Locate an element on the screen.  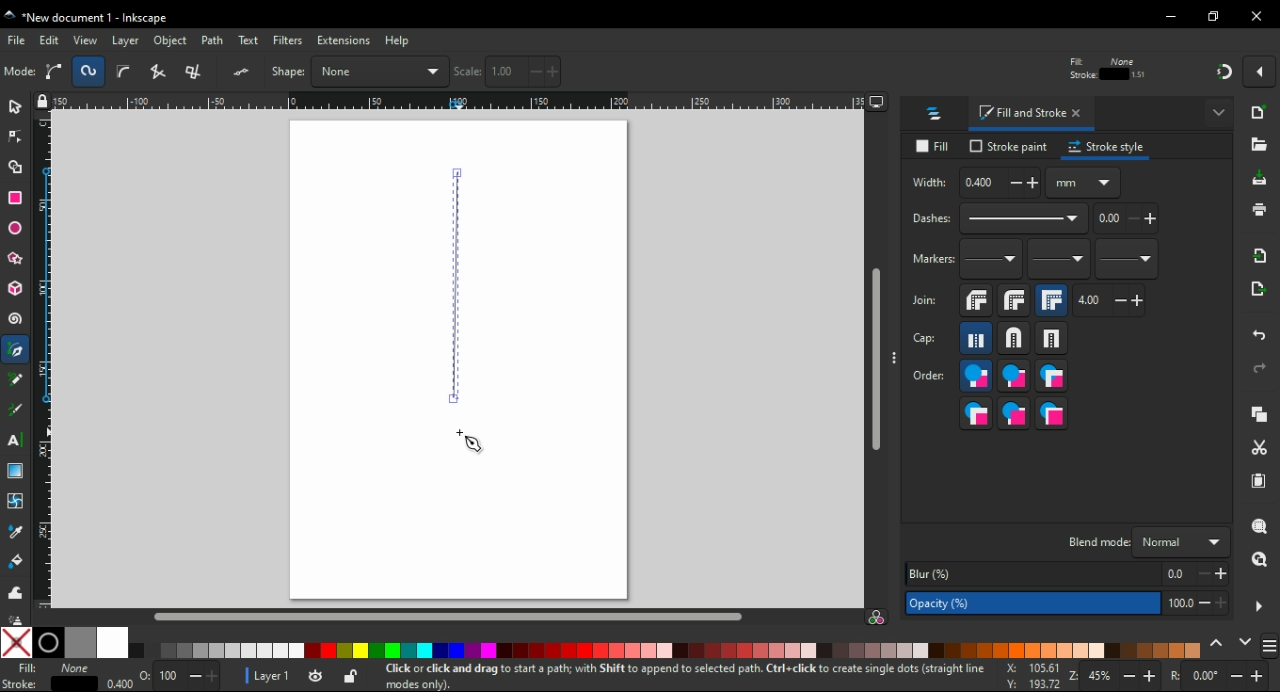
select all is located at coordinates (20, 72).